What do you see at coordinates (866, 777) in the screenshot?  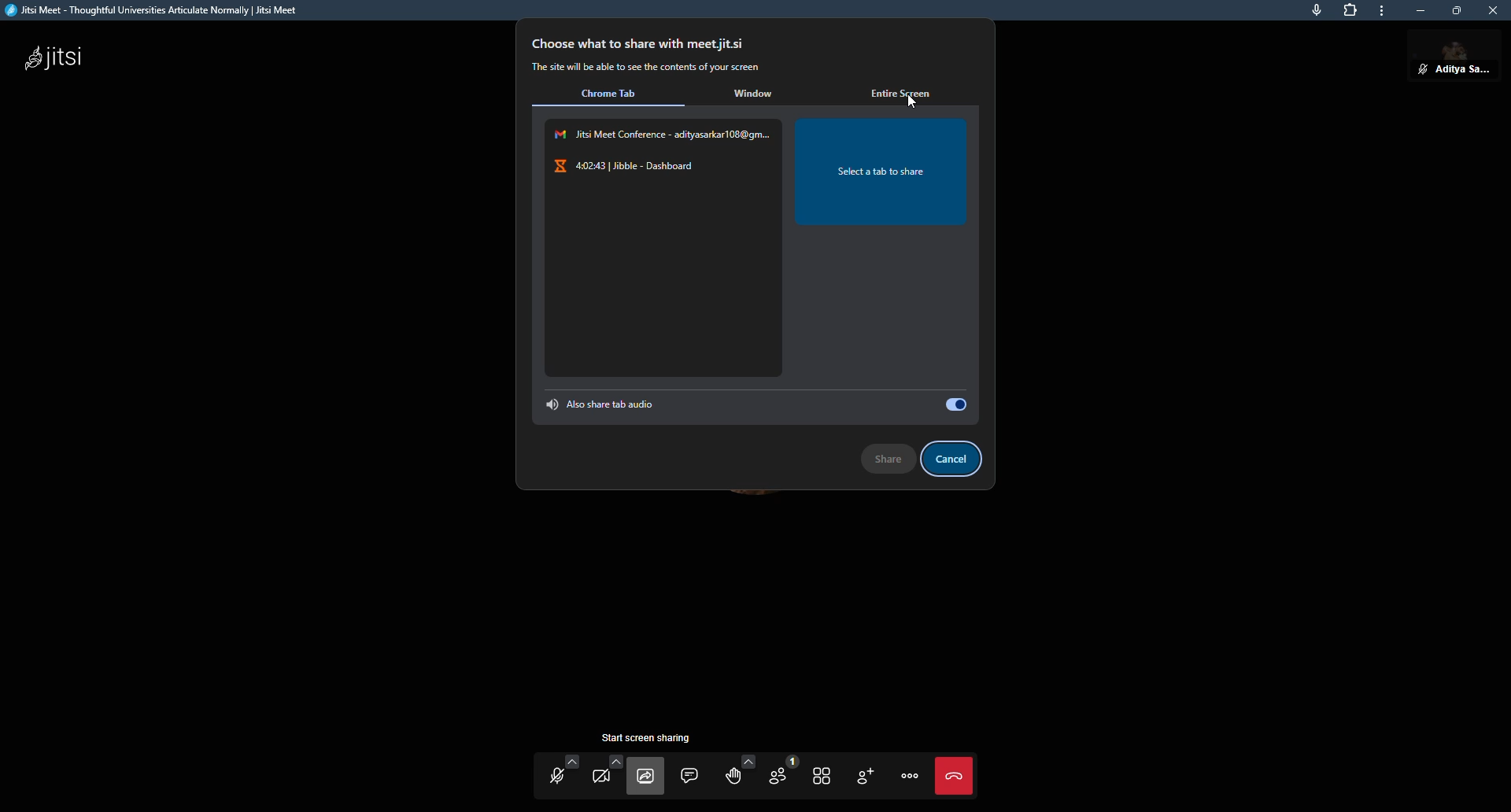 I see `invite people` at bounding box center [866, 777].